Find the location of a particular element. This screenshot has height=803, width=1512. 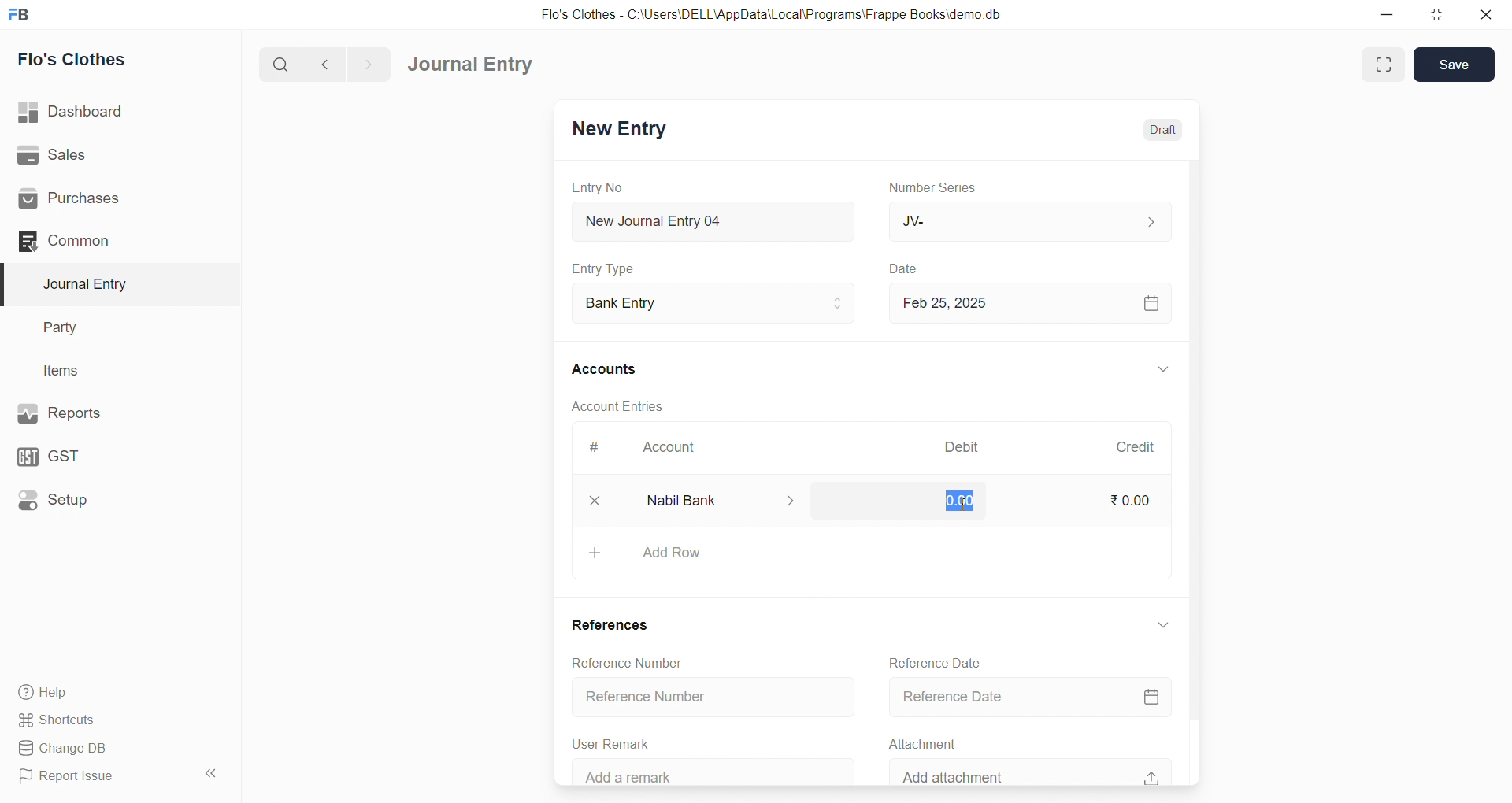

Credit is located at coordinates (1135, 447).